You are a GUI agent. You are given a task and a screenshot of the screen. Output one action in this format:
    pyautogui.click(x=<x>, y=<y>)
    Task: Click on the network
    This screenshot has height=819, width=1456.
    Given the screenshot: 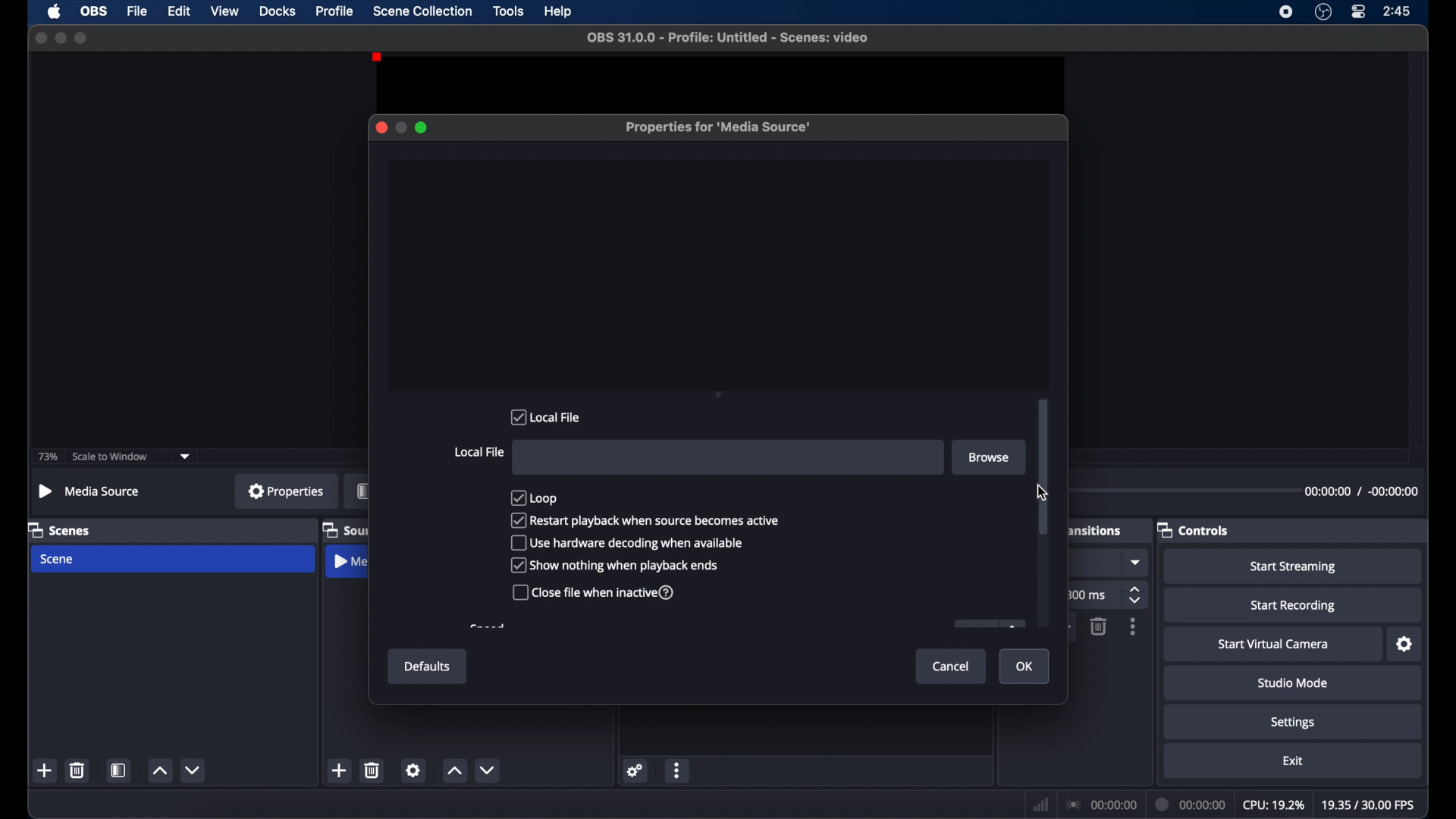 What is the action you would take?
    pyautogui.click(x=1040, y=805)
    